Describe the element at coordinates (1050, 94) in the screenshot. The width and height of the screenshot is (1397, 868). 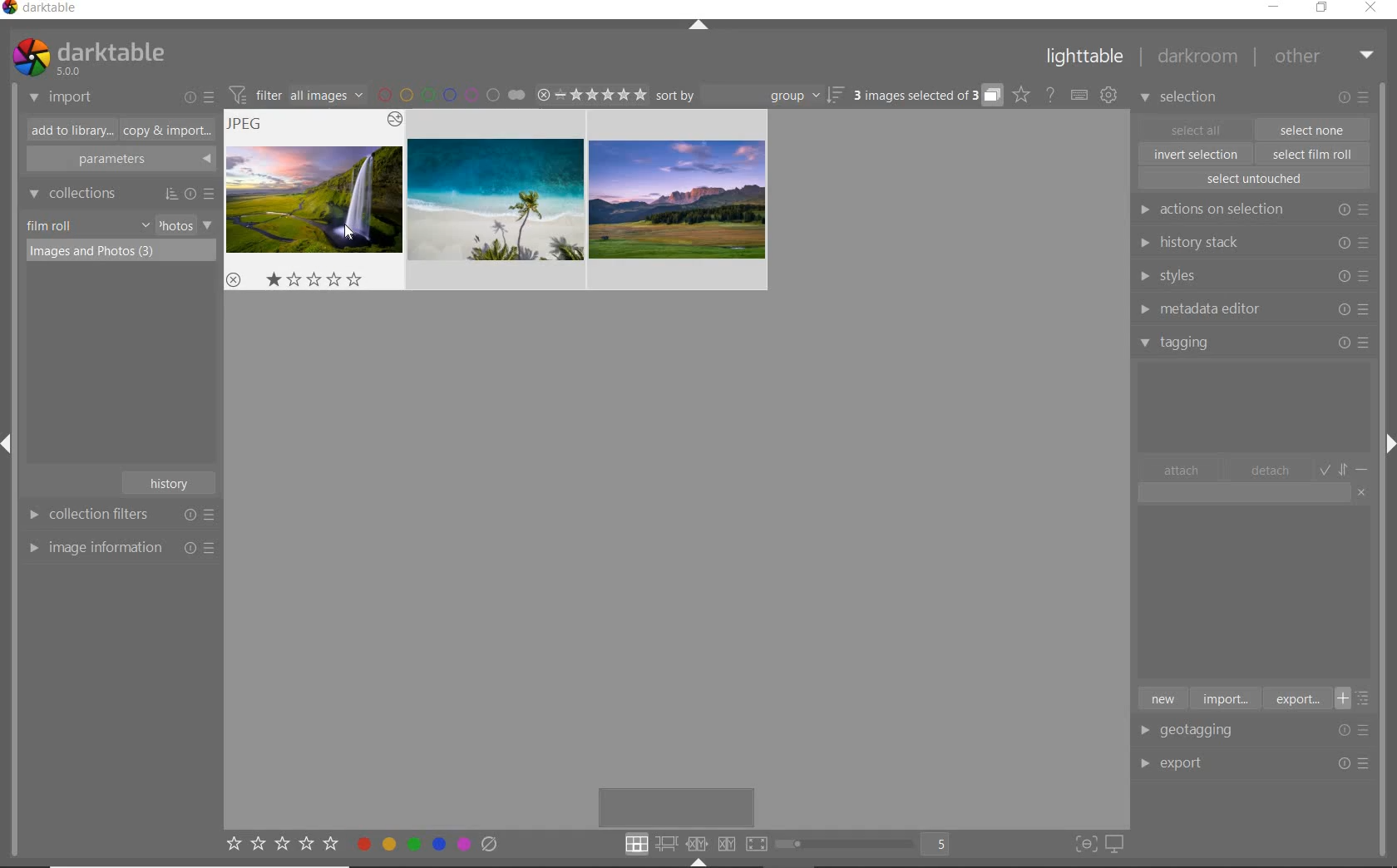
I see `help online` at that location.